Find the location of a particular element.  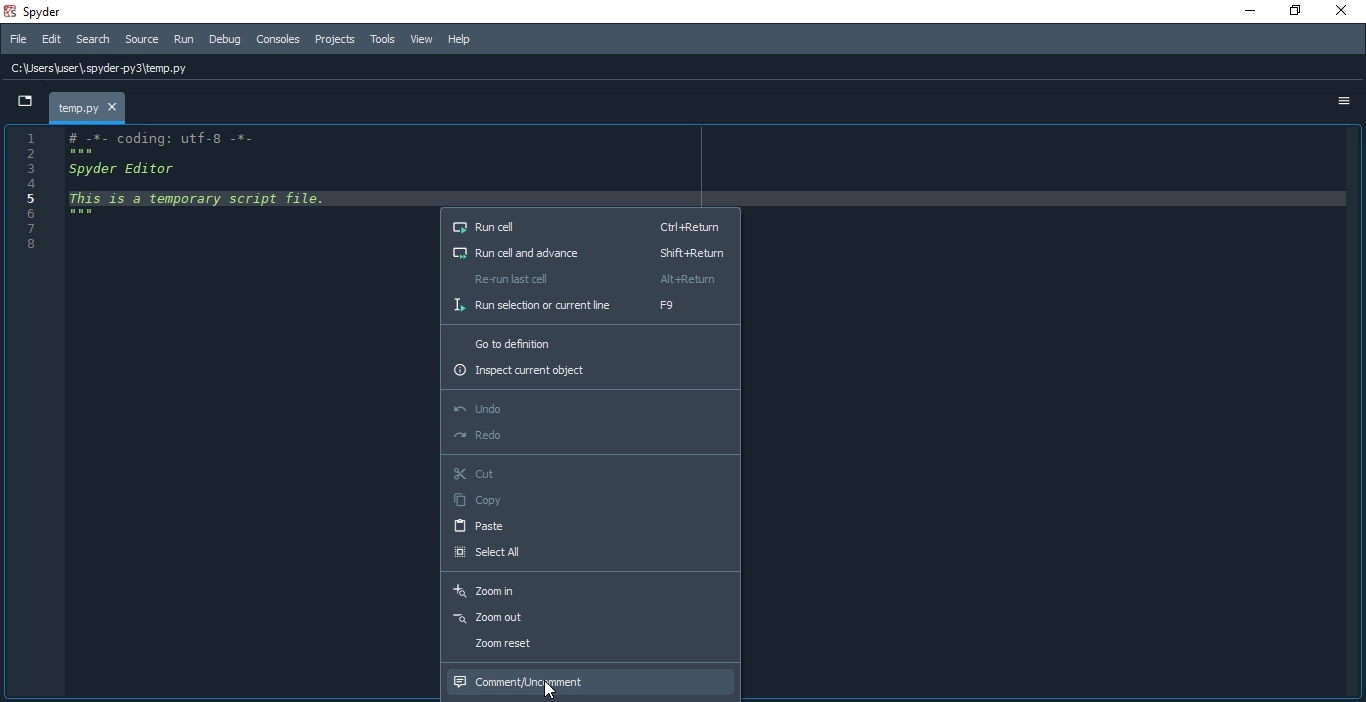

Paste is located at coordinates (592, 525).